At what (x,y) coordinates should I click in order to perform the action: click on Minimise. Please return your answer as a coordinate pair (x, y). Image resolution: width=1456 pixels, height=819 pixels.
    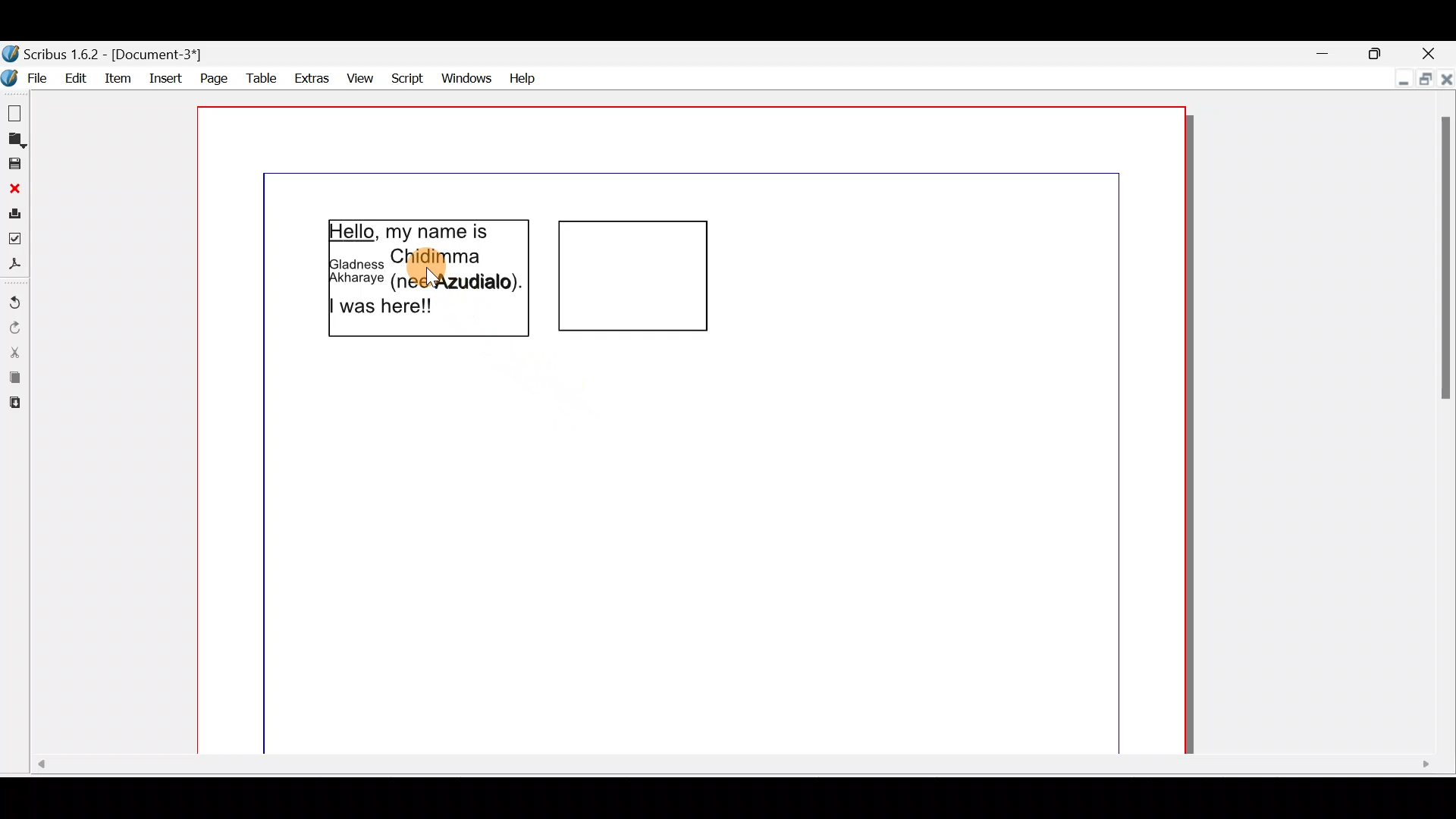
    Looking at the image, I should click on (1323, 52).